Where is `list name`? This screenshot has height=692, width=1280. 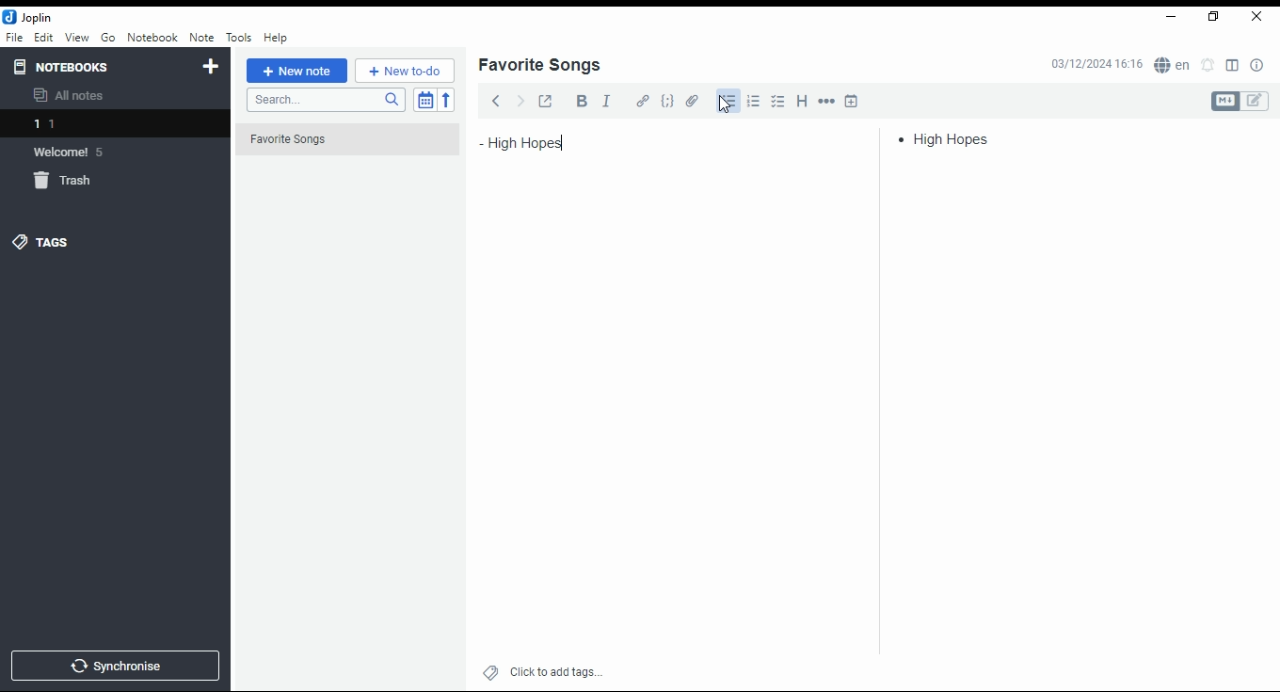
list name is located at coordinates (539, 66).